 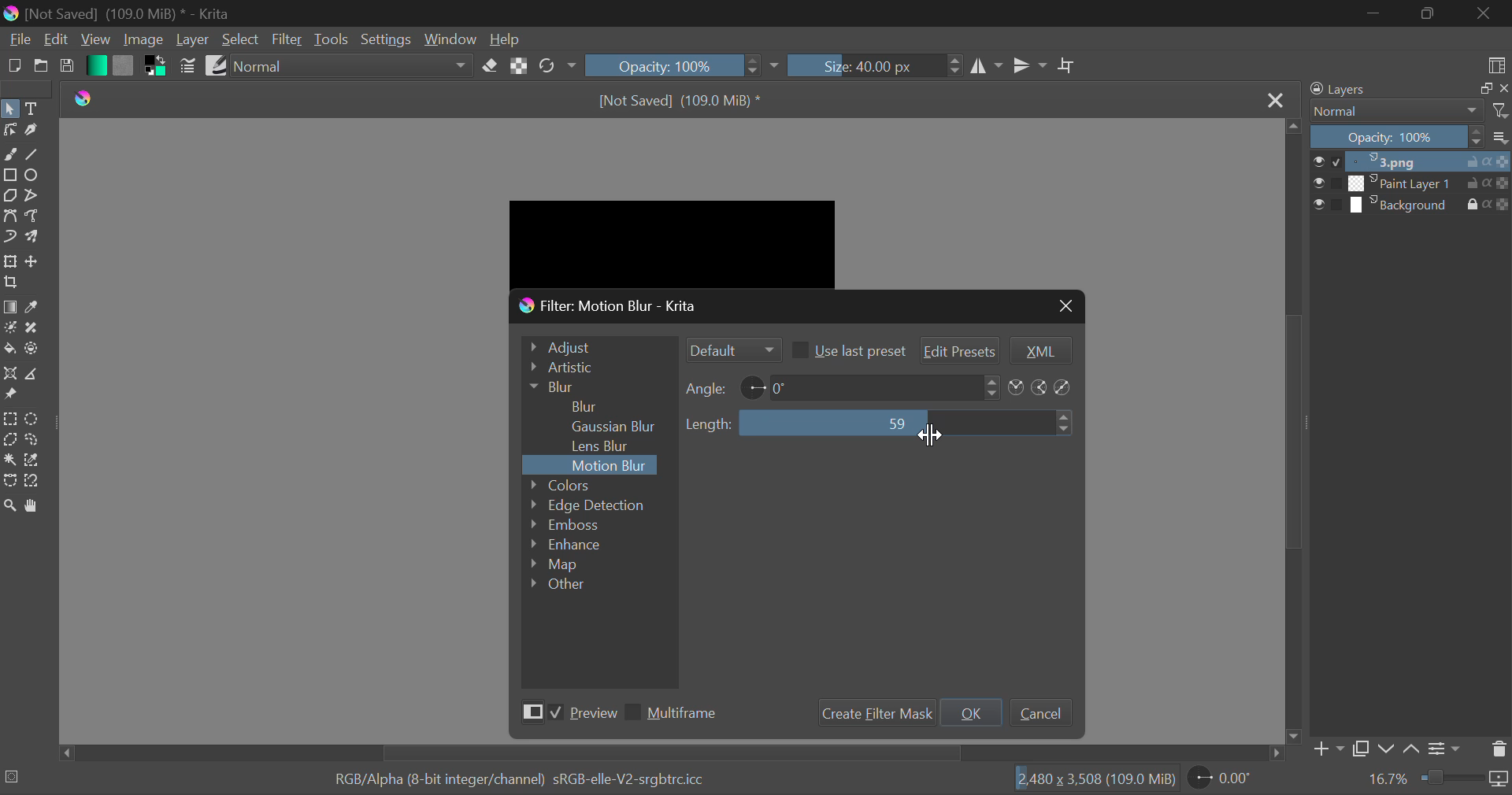 I want to click on Filter Mode, so click(x=732, y=349).